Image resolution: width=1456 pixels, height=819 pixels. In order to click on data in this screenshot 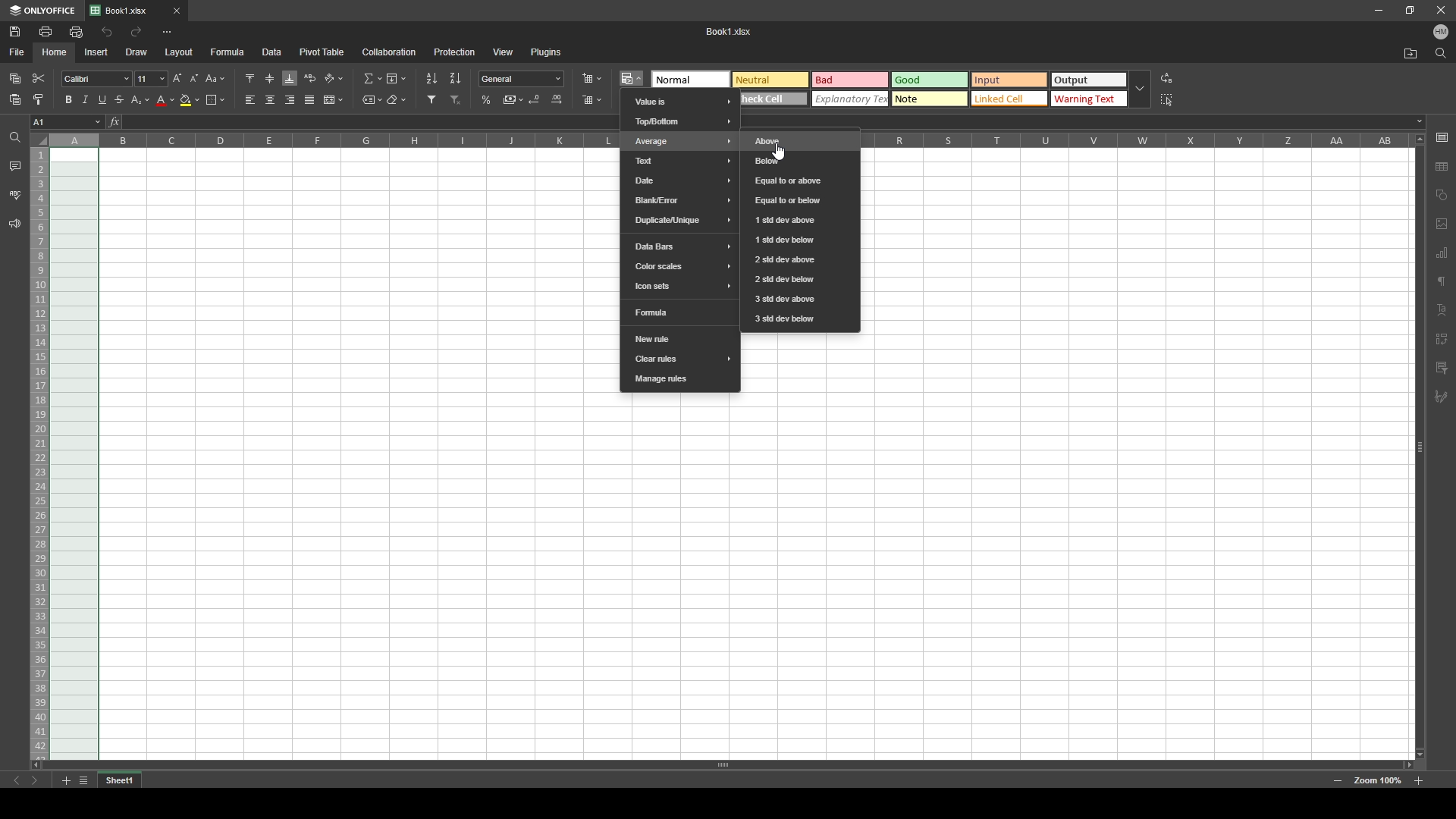, I will do `click(272, 51)`.